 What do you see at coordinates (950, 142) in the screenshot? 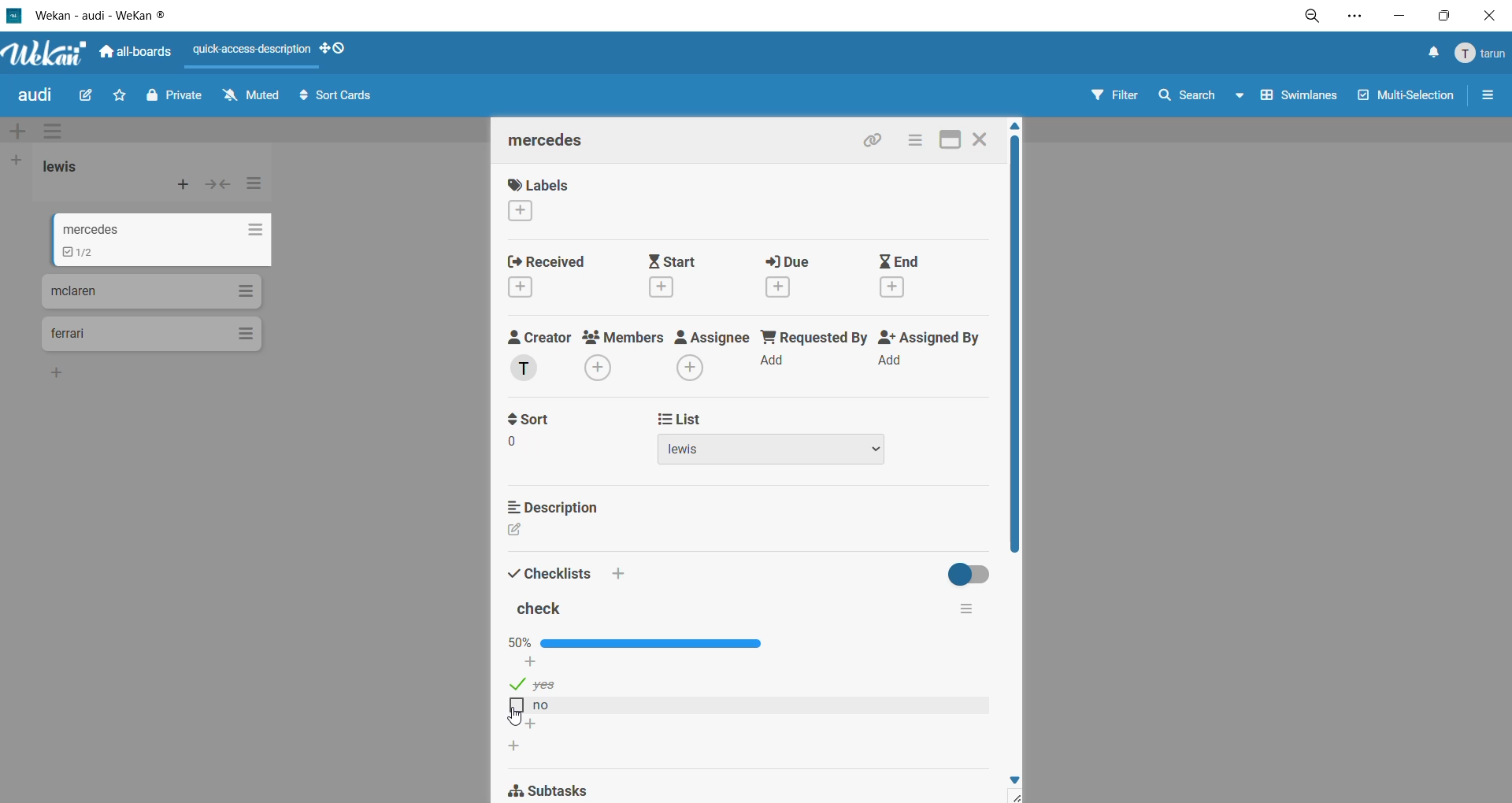
I see `maximize` at bounding box center [950, 142].